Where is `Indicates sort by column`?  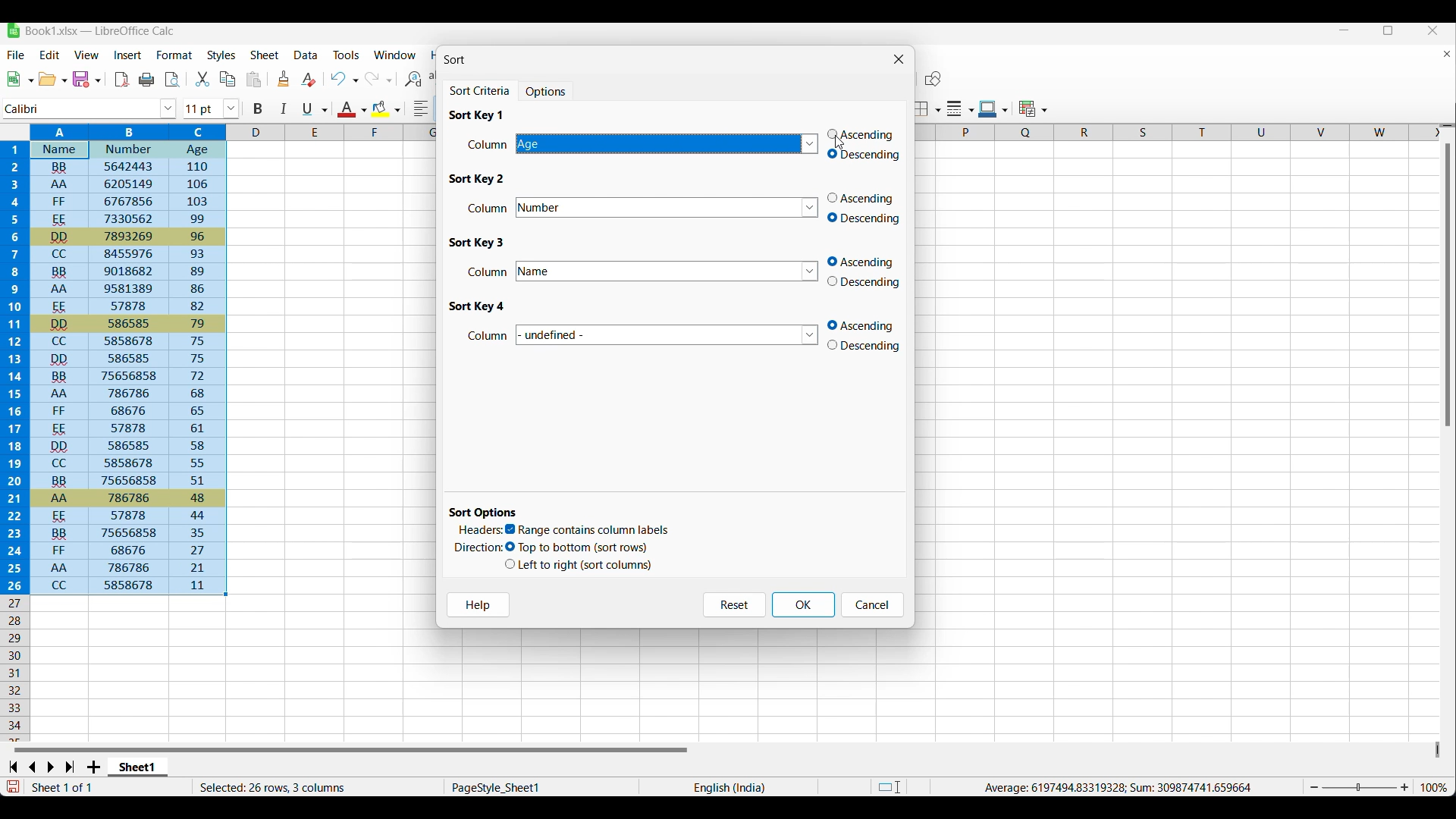
Indicates sort by column is located at coordinates (488, 336).